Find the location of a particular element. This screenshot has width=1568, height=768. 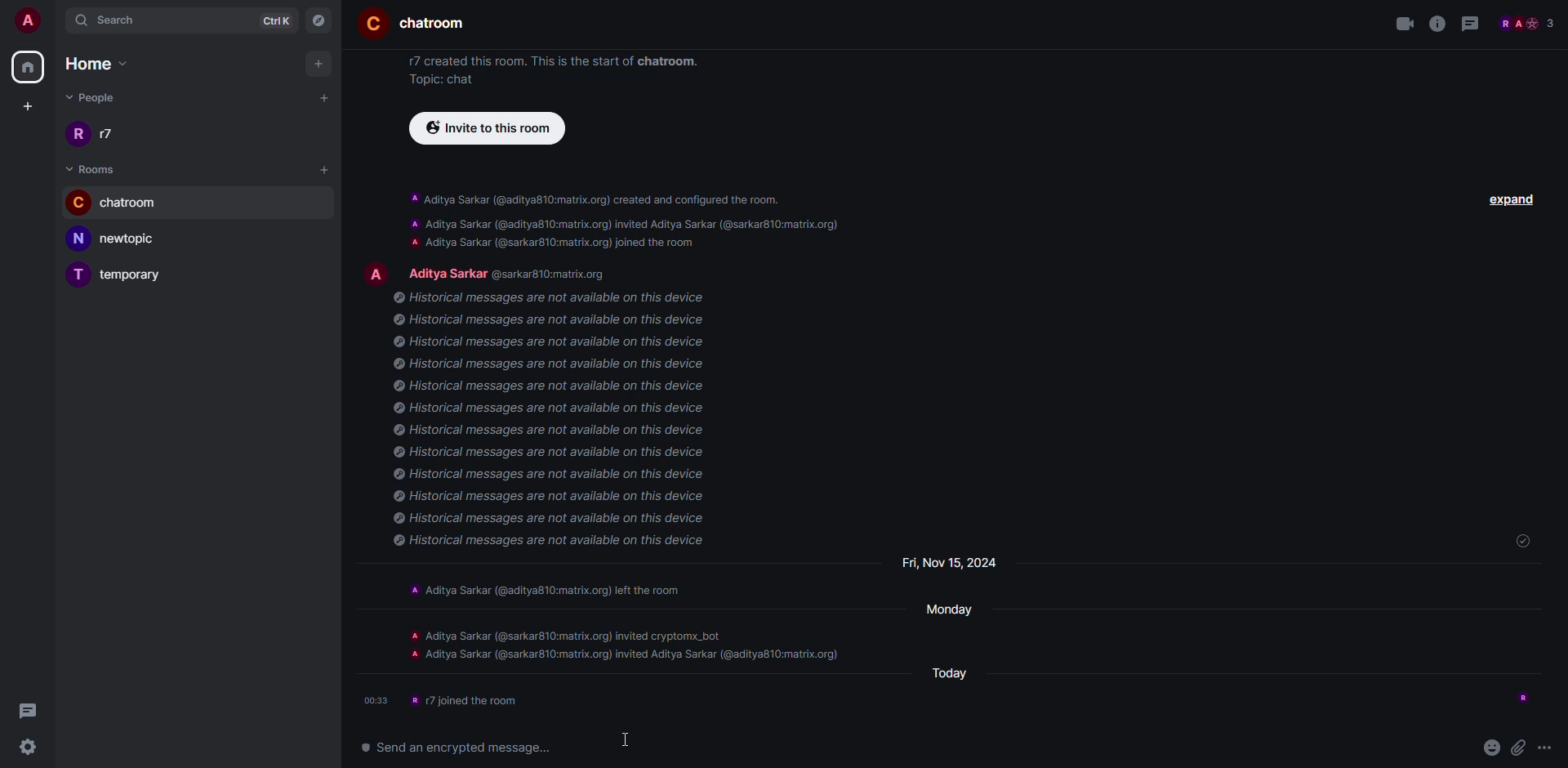

account is located at coordinates (28, 20).